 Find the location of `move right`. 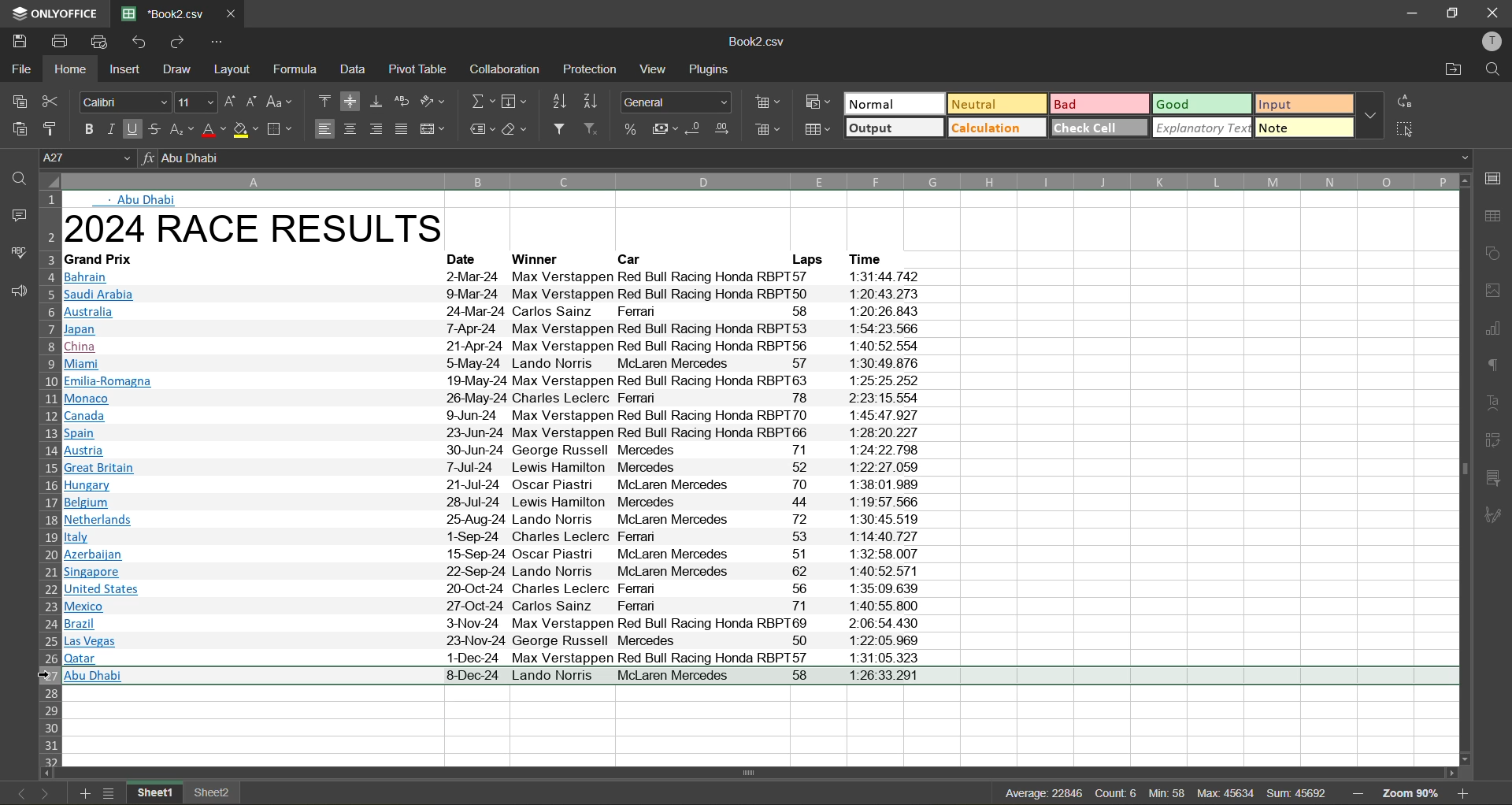

move right is located at coordinates (1450, 772).